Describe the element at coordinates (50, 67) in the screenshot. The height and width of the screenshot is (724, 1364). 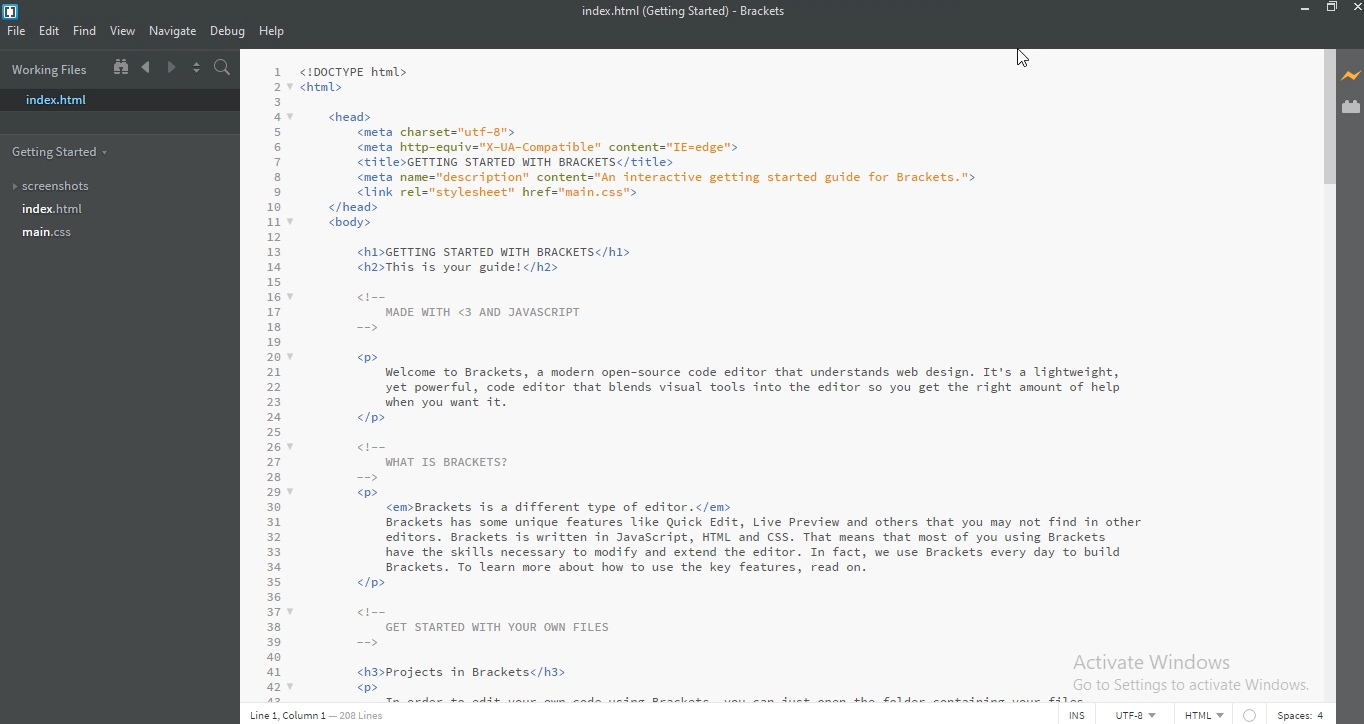
I see `Working Files` at that location.